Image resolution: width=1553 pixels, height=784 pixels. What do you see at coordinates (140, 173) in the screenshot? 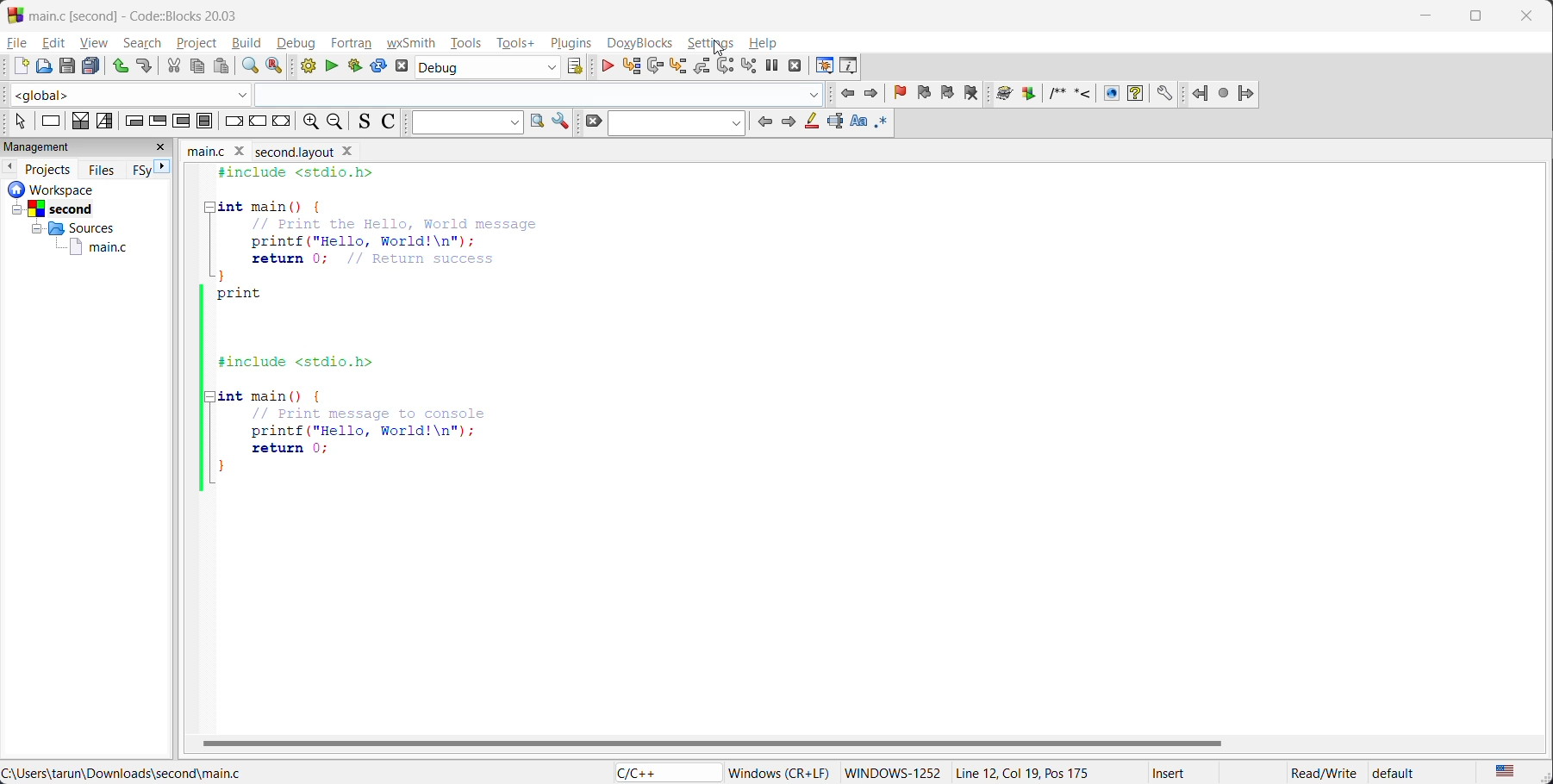
I see `FSy` at bounding box center [140, 173].